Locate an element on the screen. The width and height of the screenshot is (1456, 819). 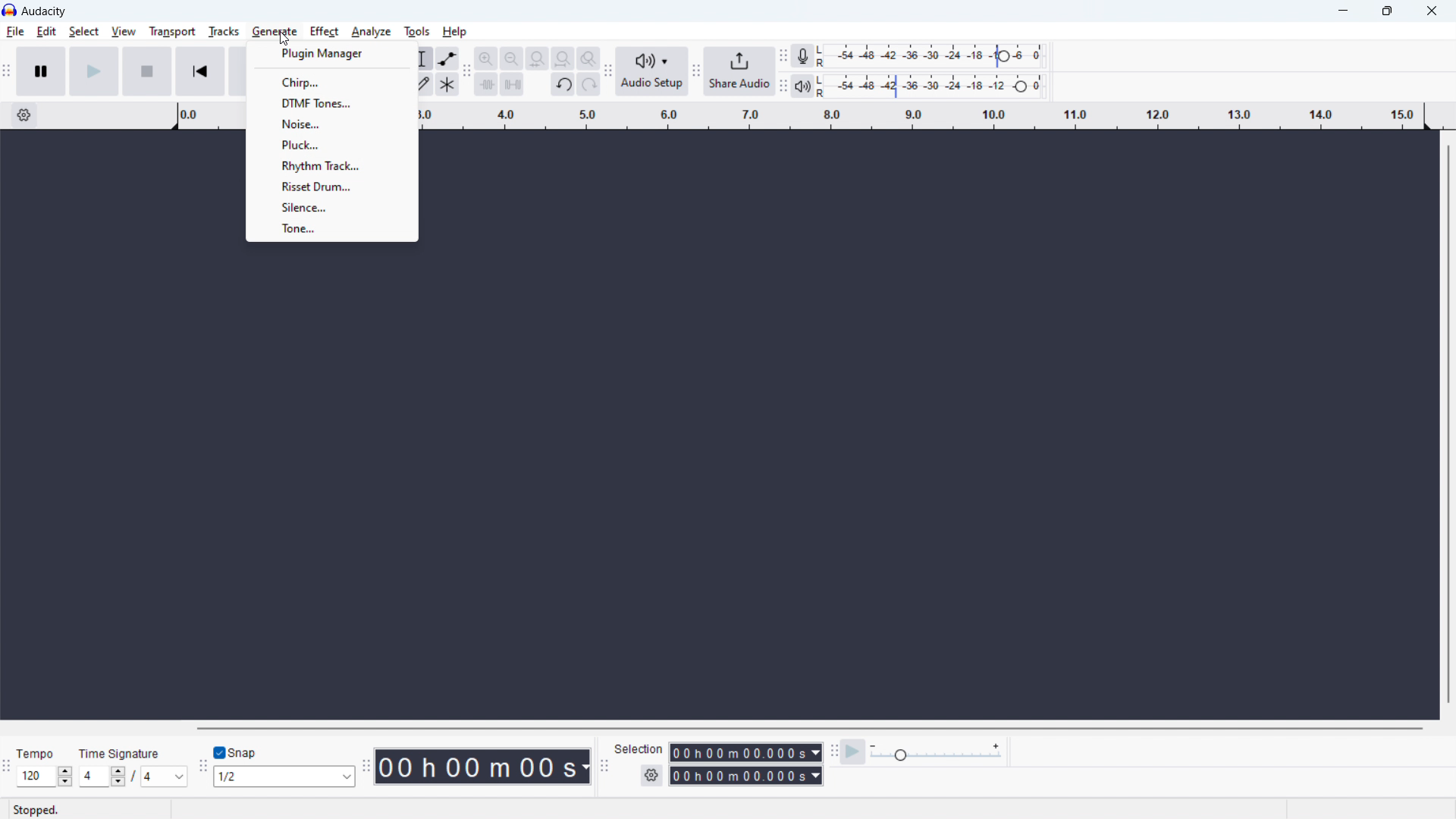
timestamp is located at coordinates (485, 767).